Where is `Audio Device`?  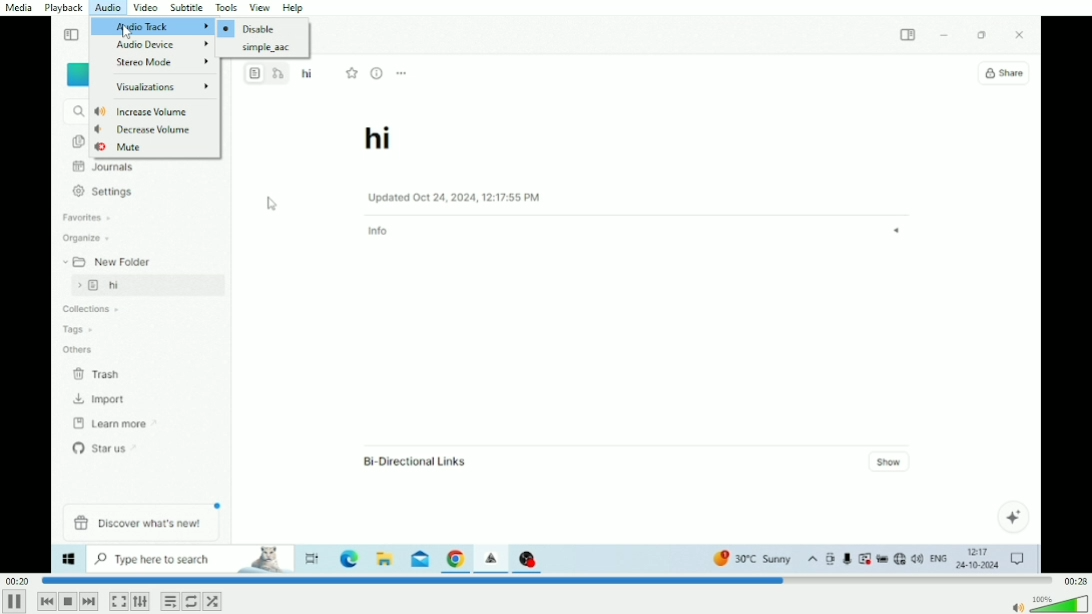 Audio Device is located at coordinates (164, 45).